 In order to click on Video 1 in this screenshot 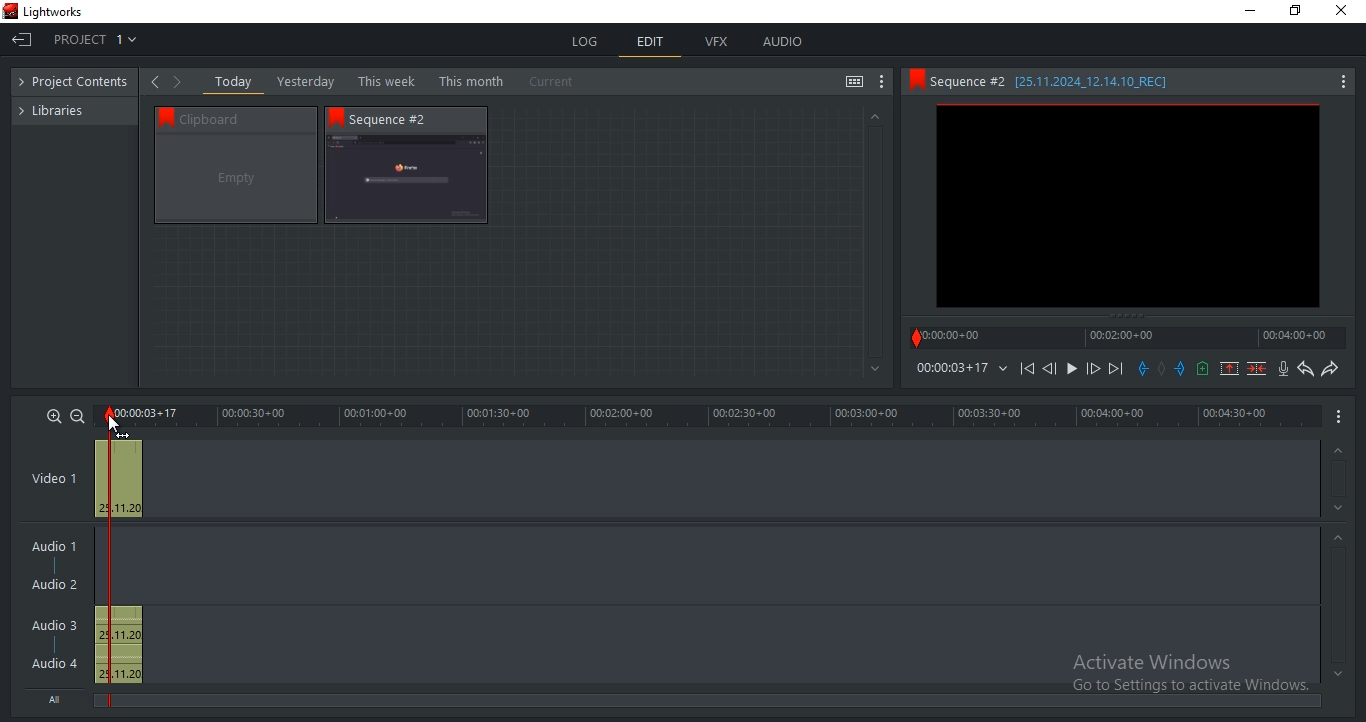, I will do `click(54, 480)`.